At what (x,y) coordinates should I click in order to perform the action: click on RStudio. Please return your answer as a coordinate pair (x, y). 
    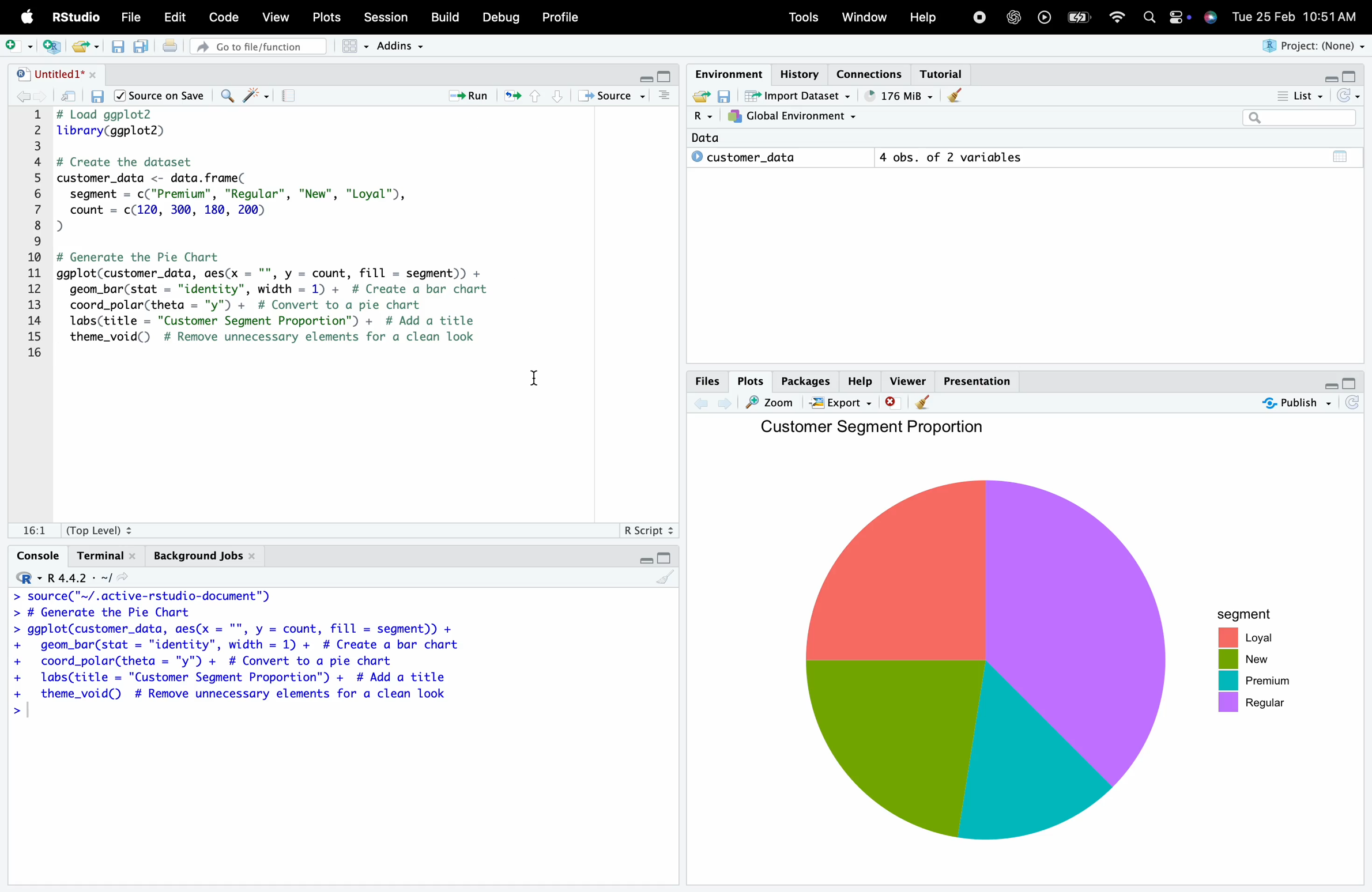
    Looking at the image, I should click on (74, 16).